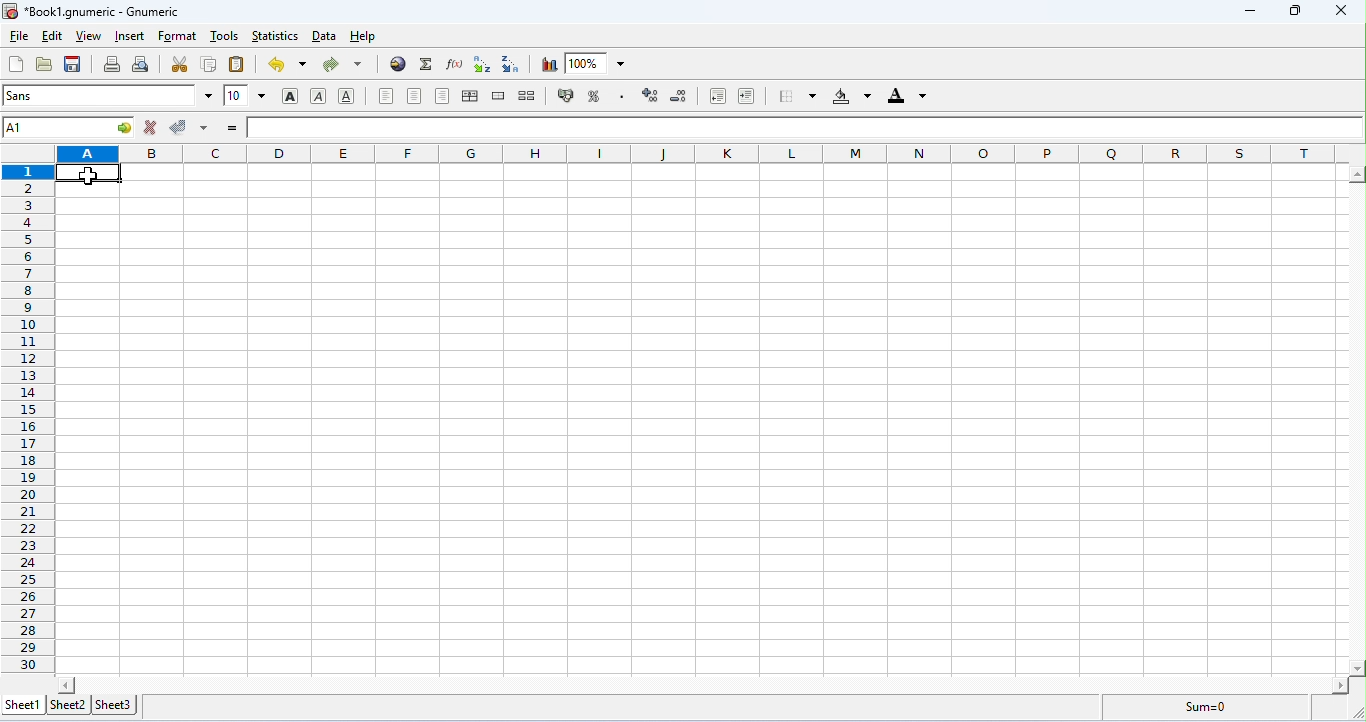  Describe the element at coordinates (397, 64) in the screenshot. I see `insert a hyperlink` at that location.